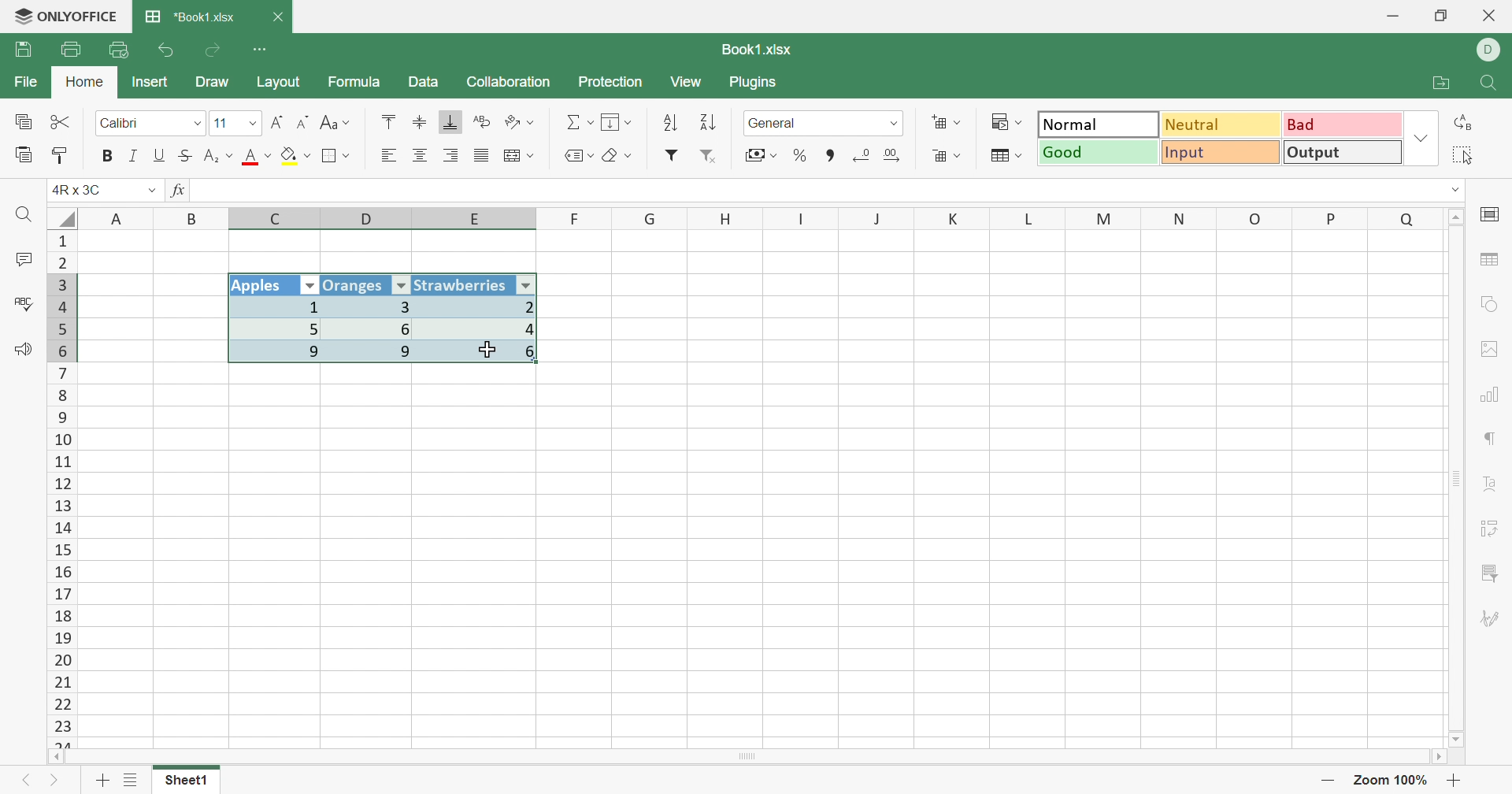  I want to click on Select all, so click(1469, 155).